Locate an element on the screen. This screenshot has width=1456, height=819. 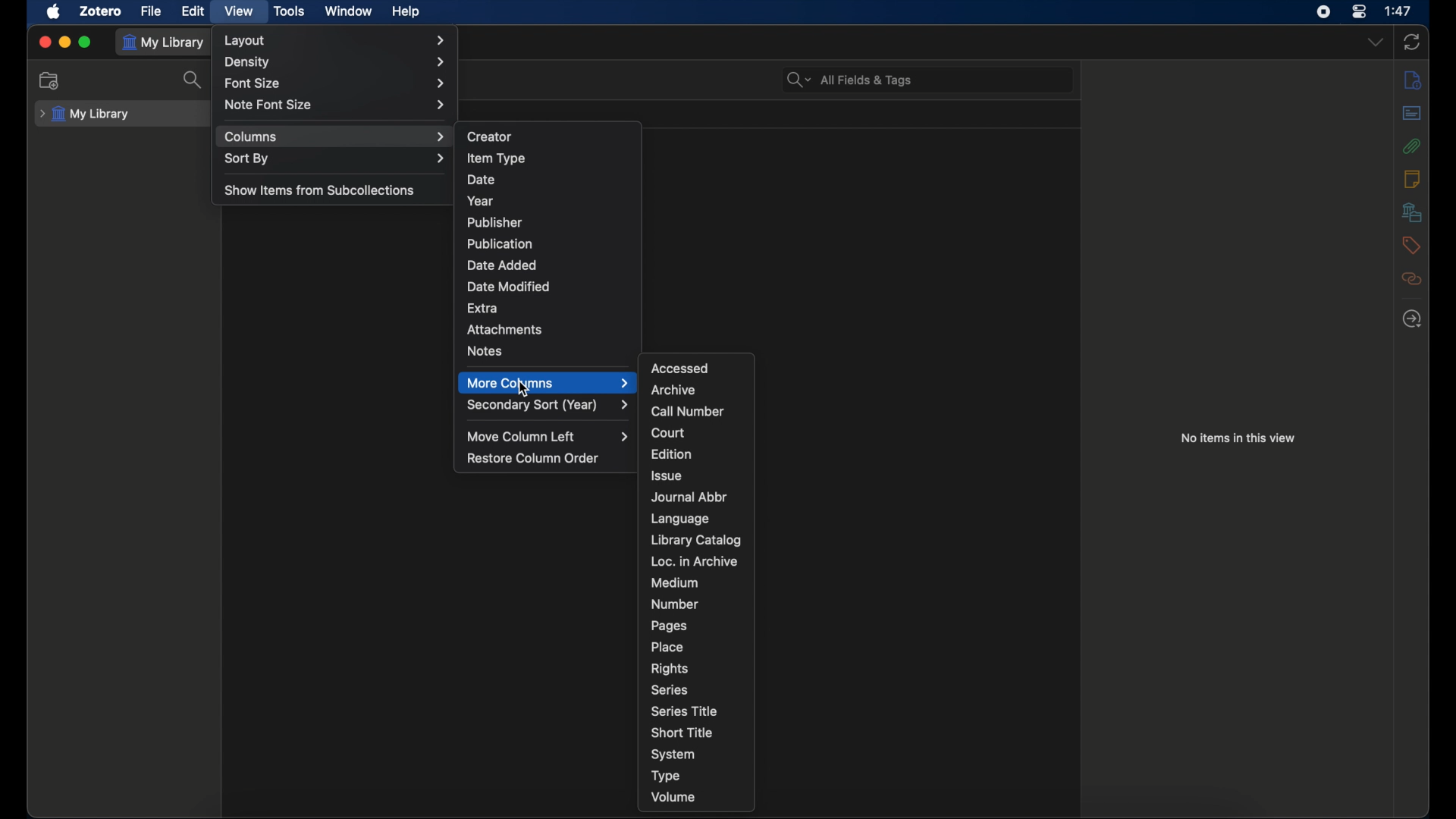
screen recorder is located at coordinates (1323, 11).